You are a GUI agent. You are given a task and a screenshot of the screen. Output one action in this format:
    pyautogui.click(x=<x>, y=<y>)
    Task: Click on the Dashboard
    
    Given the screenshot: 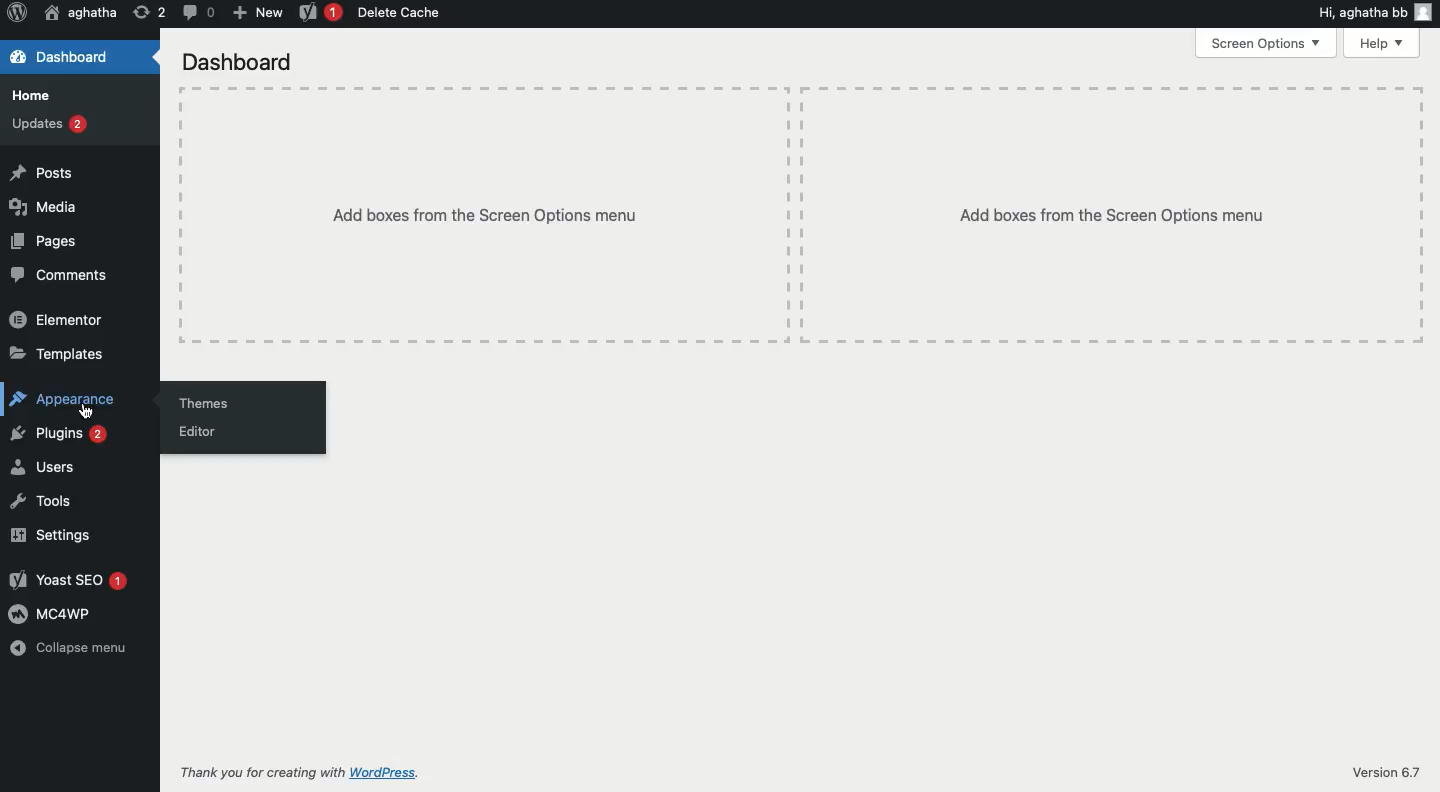 What is the action you would take?
    pyautogui.click(x=62, y=55)
    